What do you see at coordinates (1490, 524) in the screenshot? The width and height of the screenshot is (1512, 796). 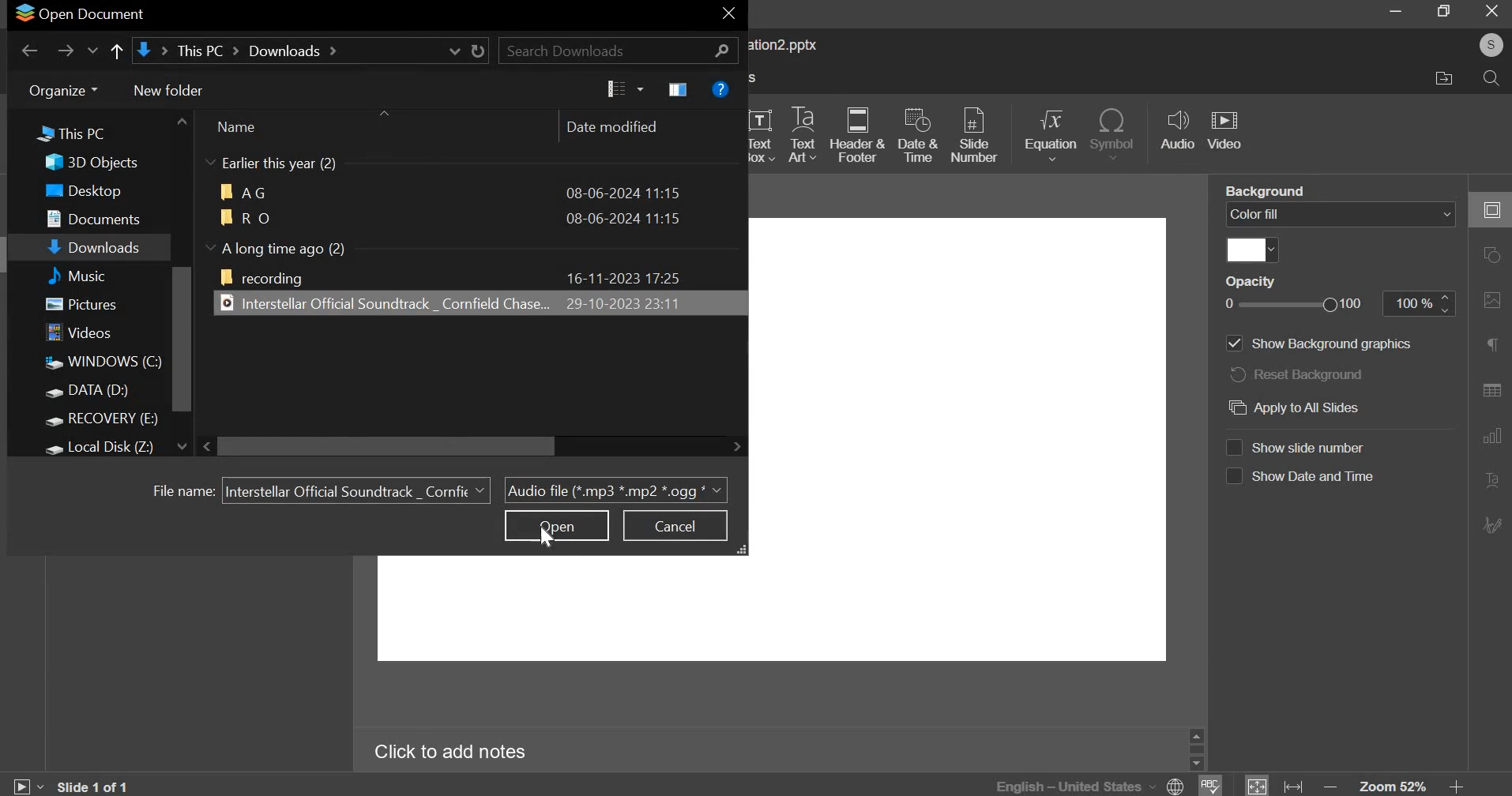 I see `signature settings` at bounding box center [1490, 524].